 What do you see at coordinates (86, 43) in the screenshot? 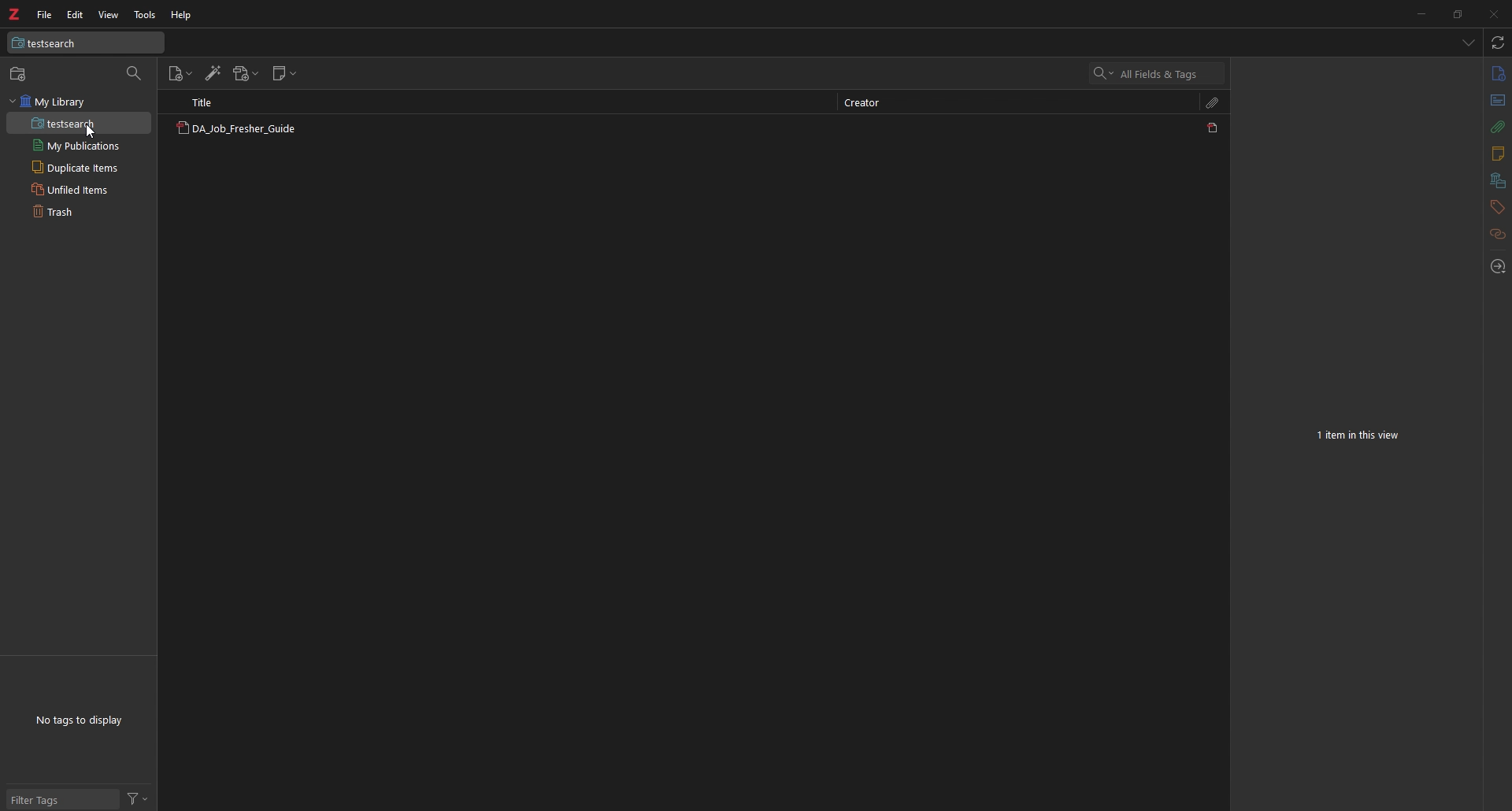
I see `test search` at bounding box center [86, 43].